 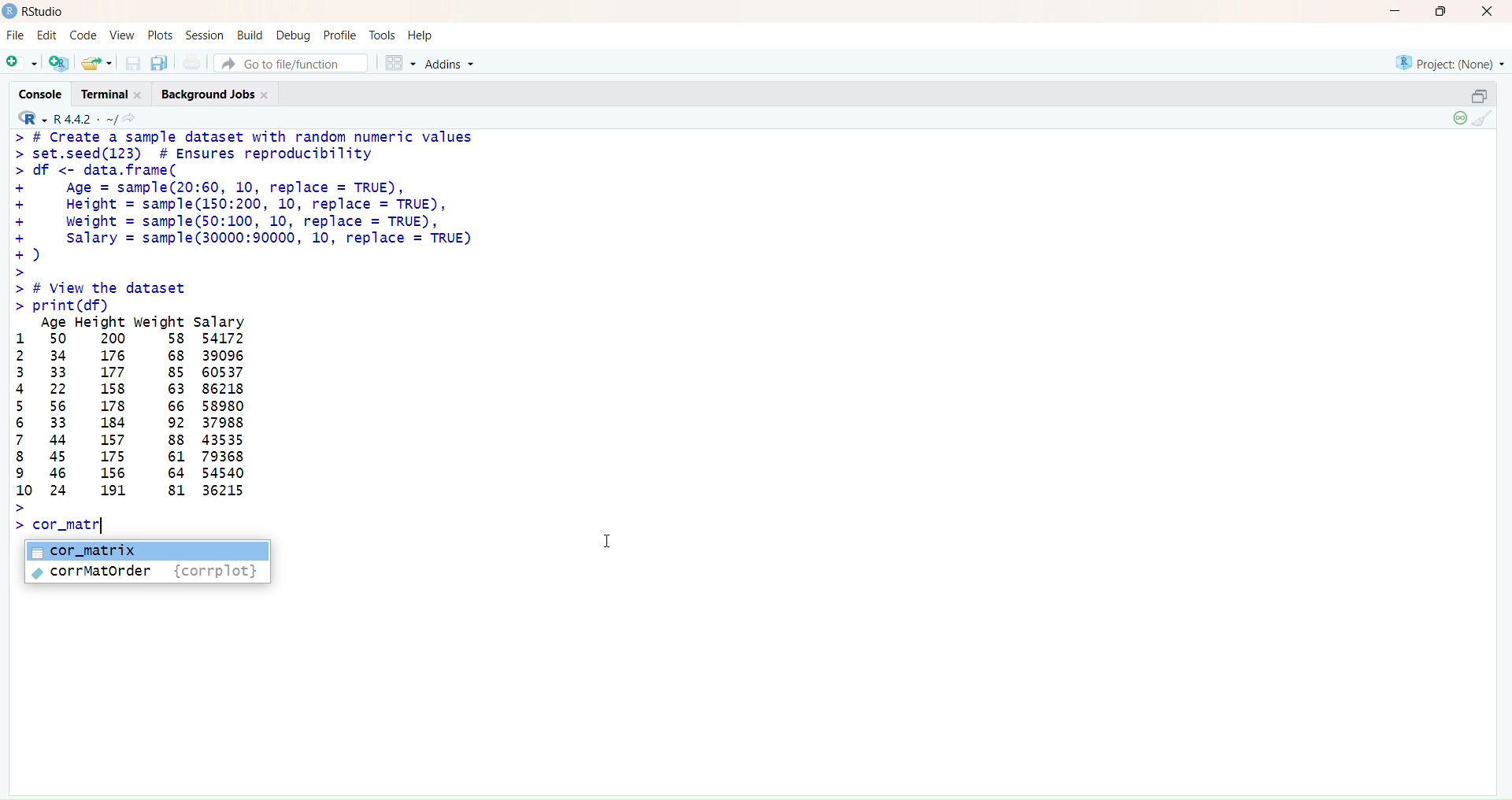 What do you see at coordinates (132, 63) in the screenshot?
I see `Save current document (Ctrl + S)` at bounding box center [132, 63].